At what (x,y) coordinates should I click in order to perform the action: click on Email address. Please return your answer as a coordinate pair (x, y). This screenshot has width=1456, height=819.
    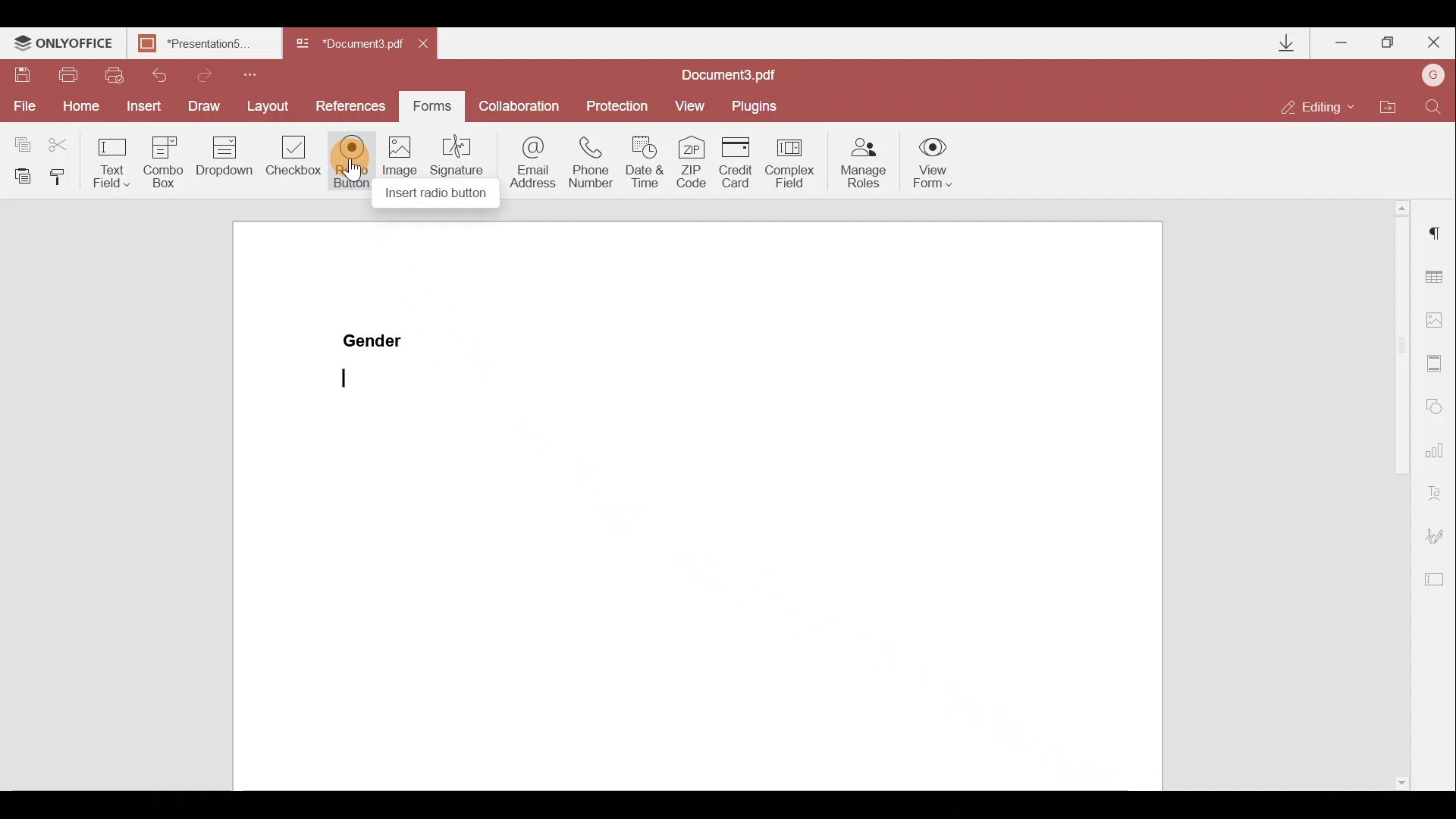
    Looking at the image, I should click on (531, 163).